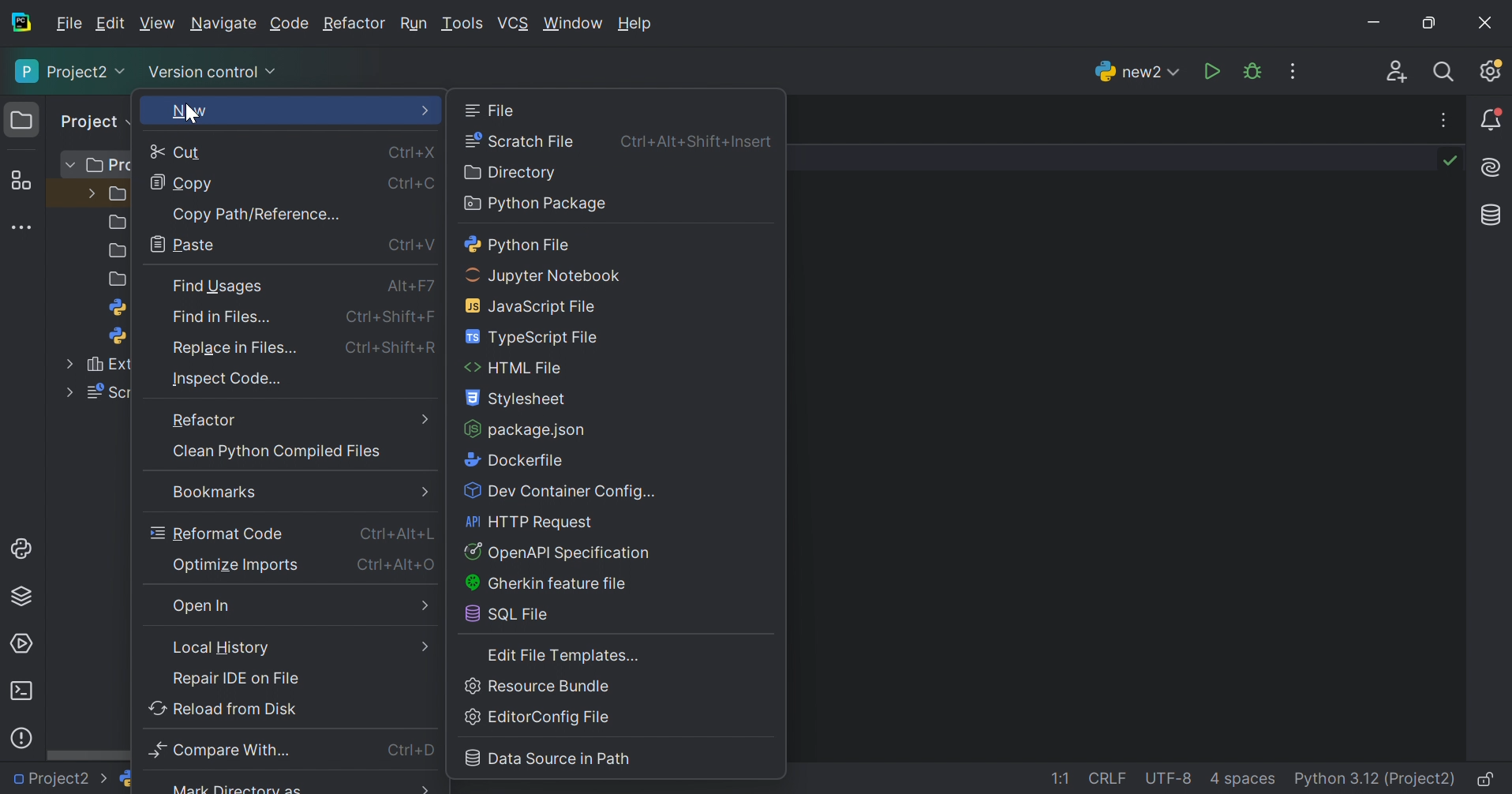 The width and height of the screenshot is (1512, 794). What do you see at coordinates (427, 418) in the screenshot?
I see `More` at bounding box center [427, 418].